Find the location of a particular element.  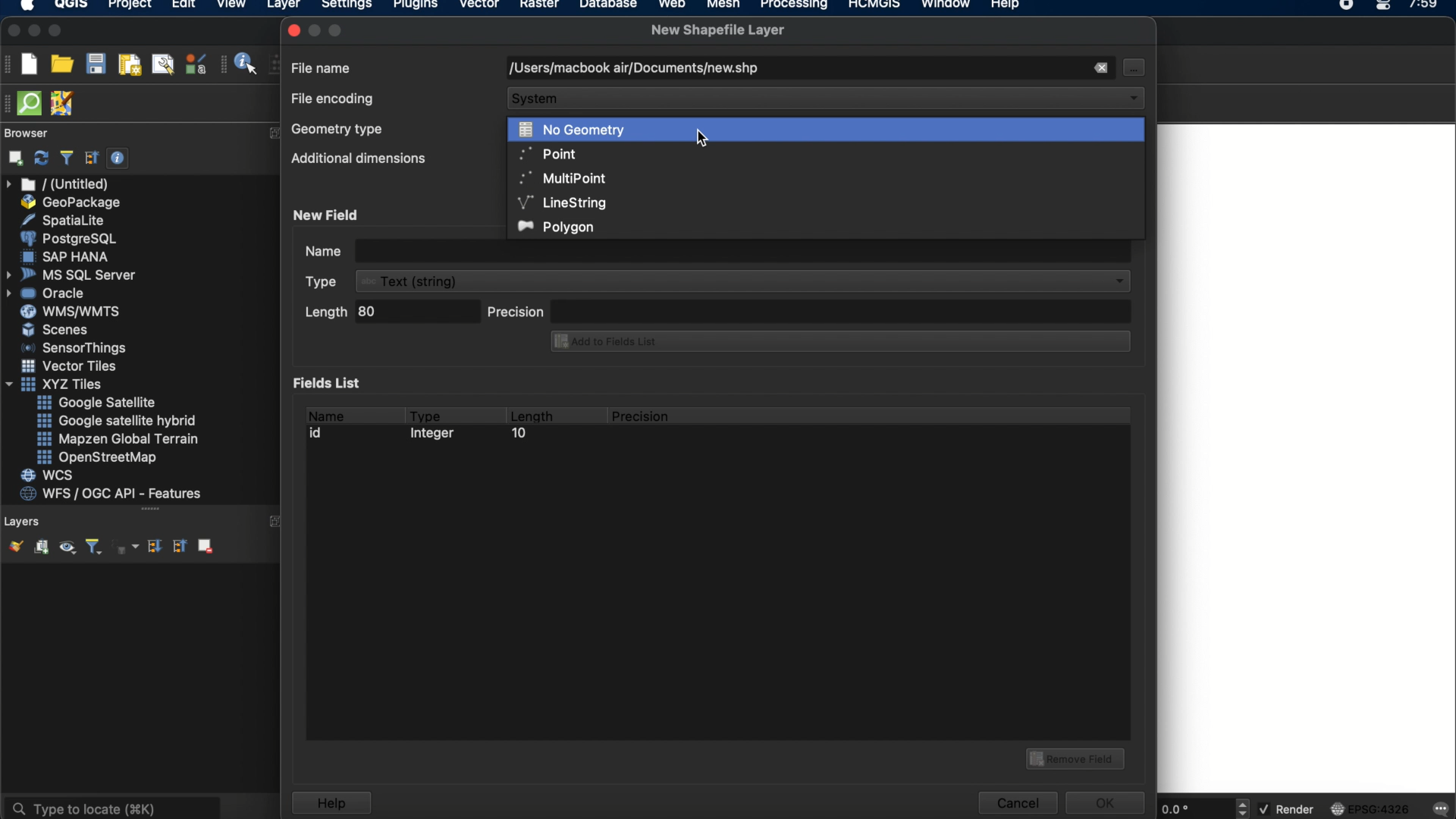

mapzen global terrain is located at coordinates (118, 439).